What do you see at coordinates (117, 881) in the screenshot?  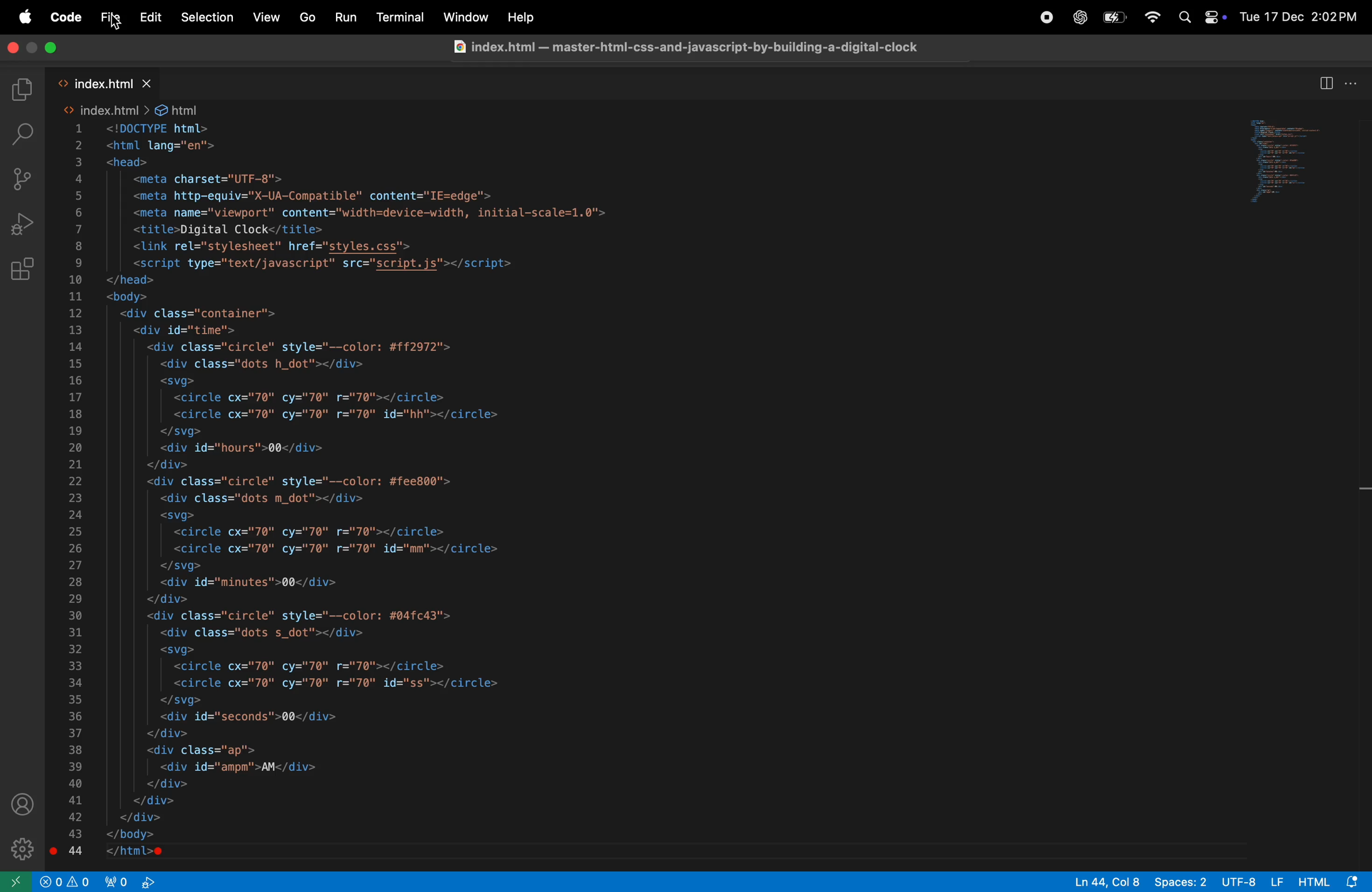 I see `port` at bounding box center [117, 881].